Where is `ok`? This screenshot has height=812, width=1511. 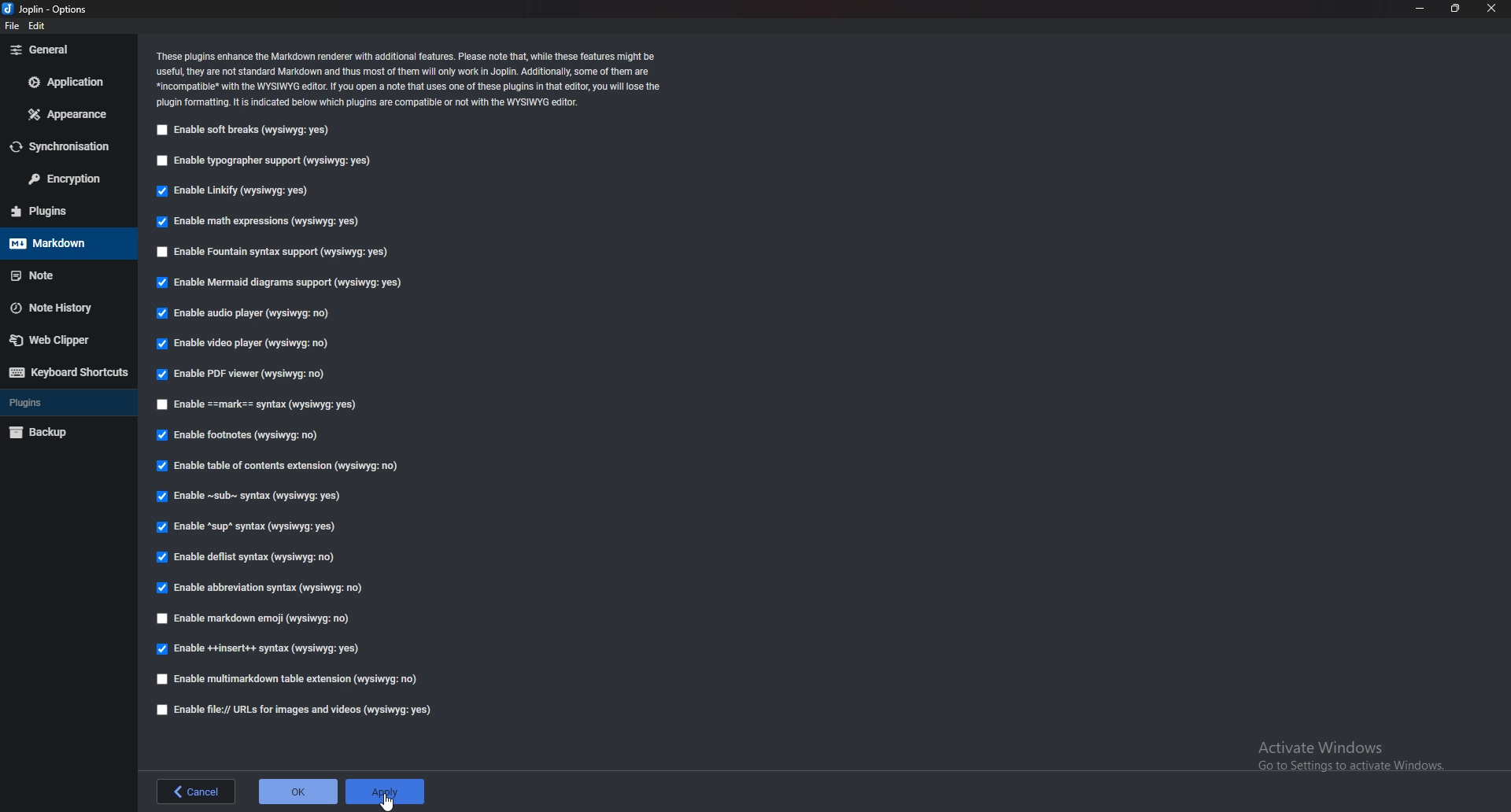
ok is located at coordinates (295, 792).